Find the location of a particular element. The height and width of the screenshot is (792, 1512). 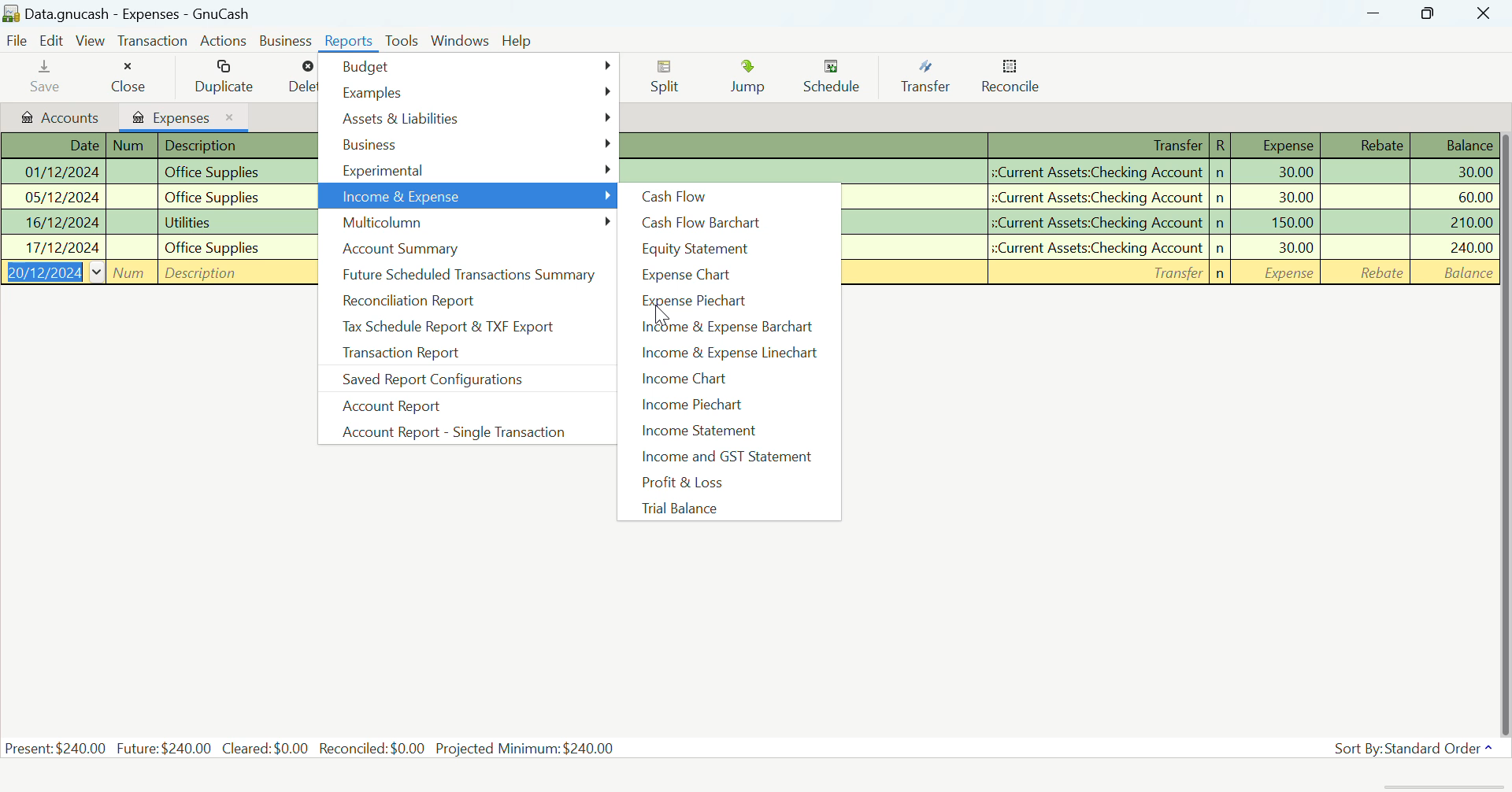

Income Chart is located at coordinates (728, 379).